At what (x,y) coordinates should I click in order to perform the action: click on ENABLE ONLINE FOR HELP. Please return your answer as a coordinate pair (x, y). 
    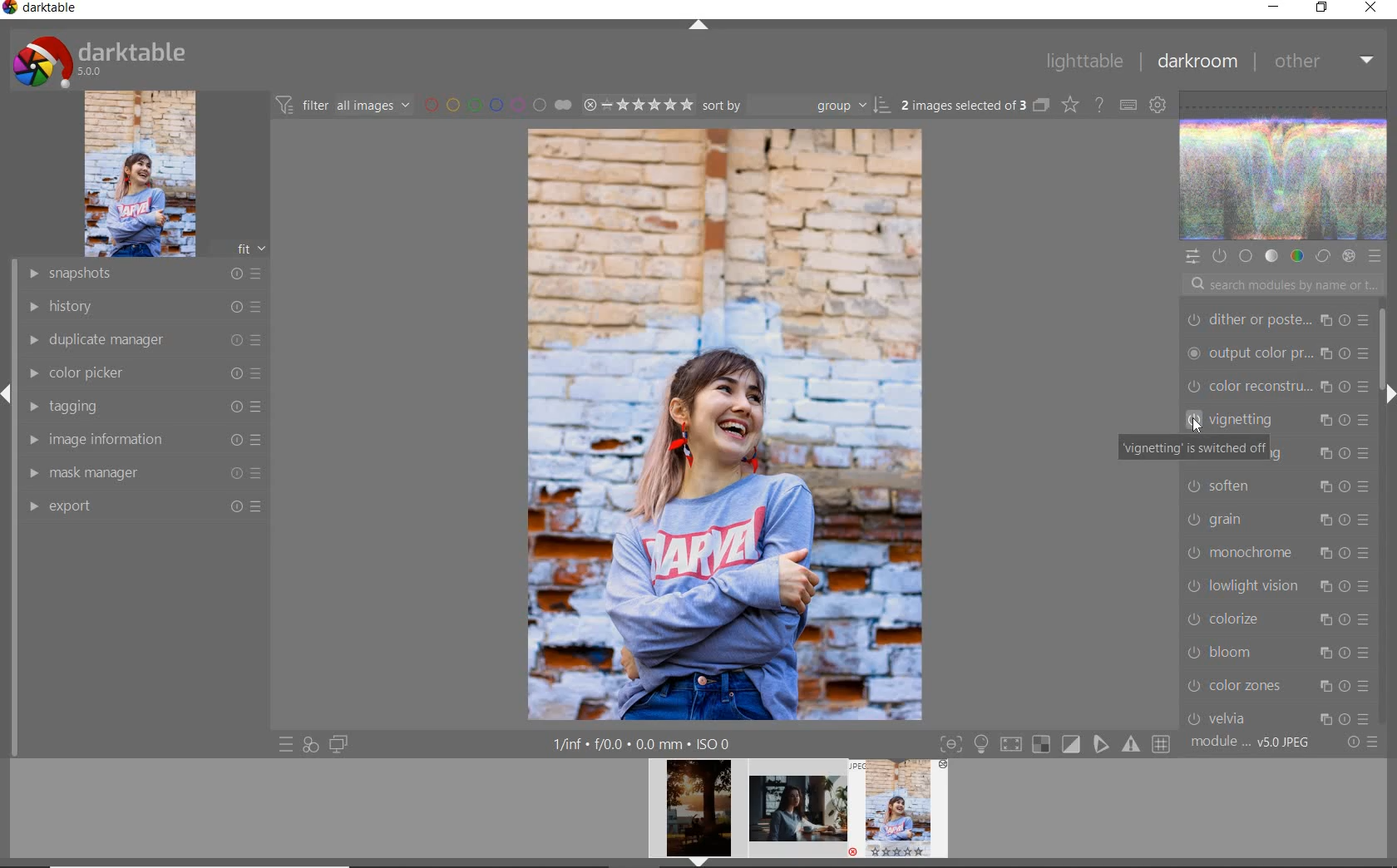
    Looking at the image, I should click on (1098, 103).